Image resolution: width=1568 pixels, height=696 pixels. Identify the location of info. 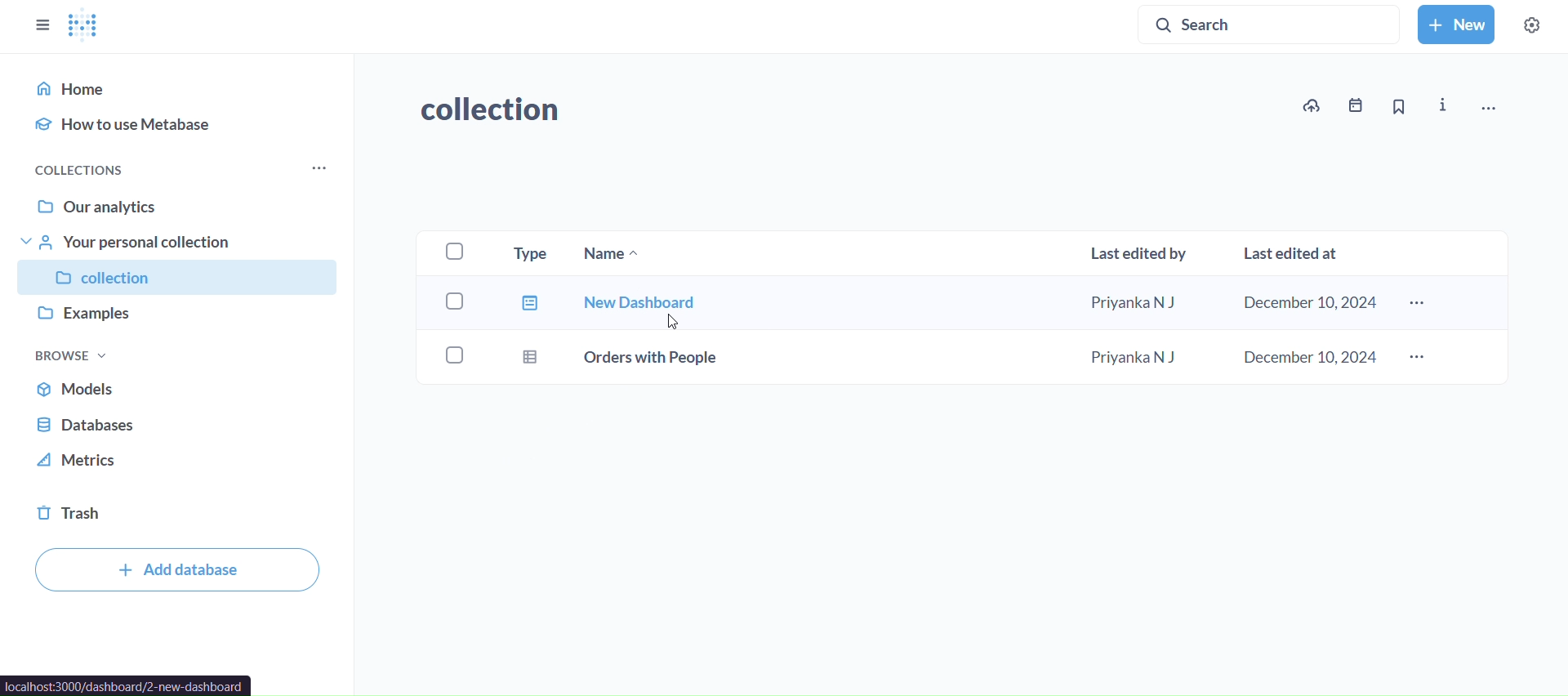
(1437, 105).